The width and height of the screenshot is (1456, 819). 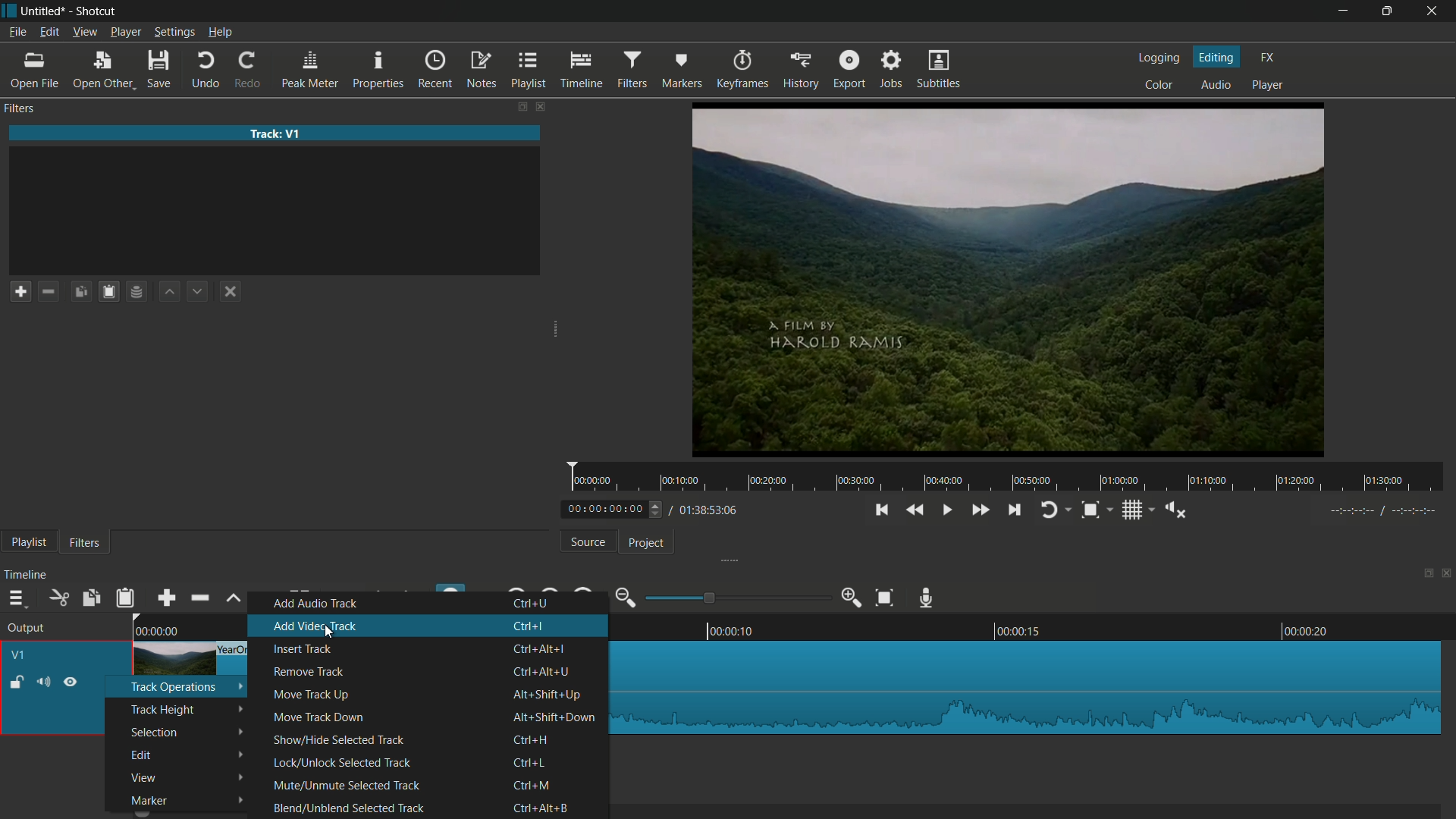 I want to click on player, so click(x=1268, y=86).